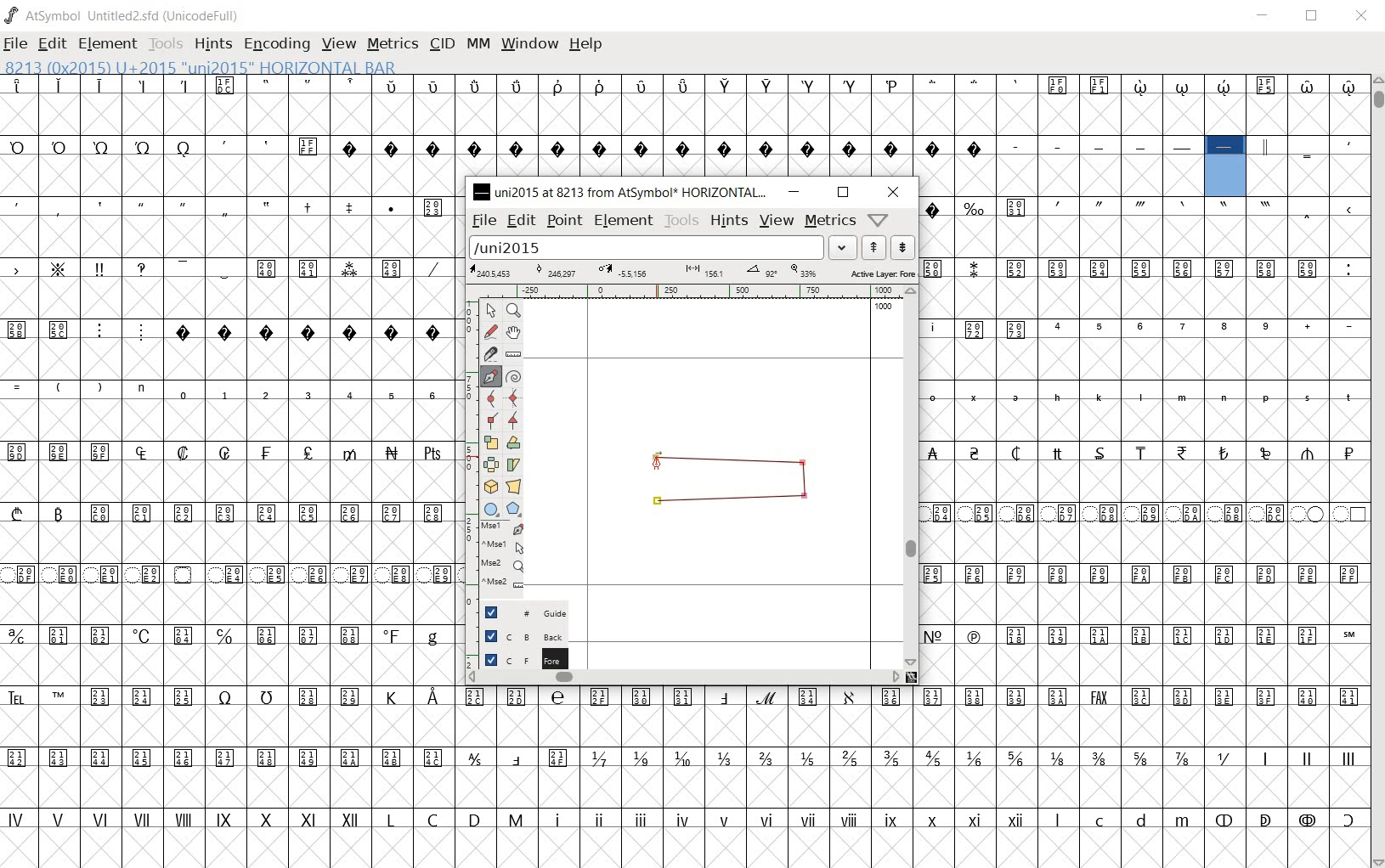 The image size is (1385, 868). Describe the element at coordinates (228, 470) in the screenshot. I see `GLYPHS` at that location.